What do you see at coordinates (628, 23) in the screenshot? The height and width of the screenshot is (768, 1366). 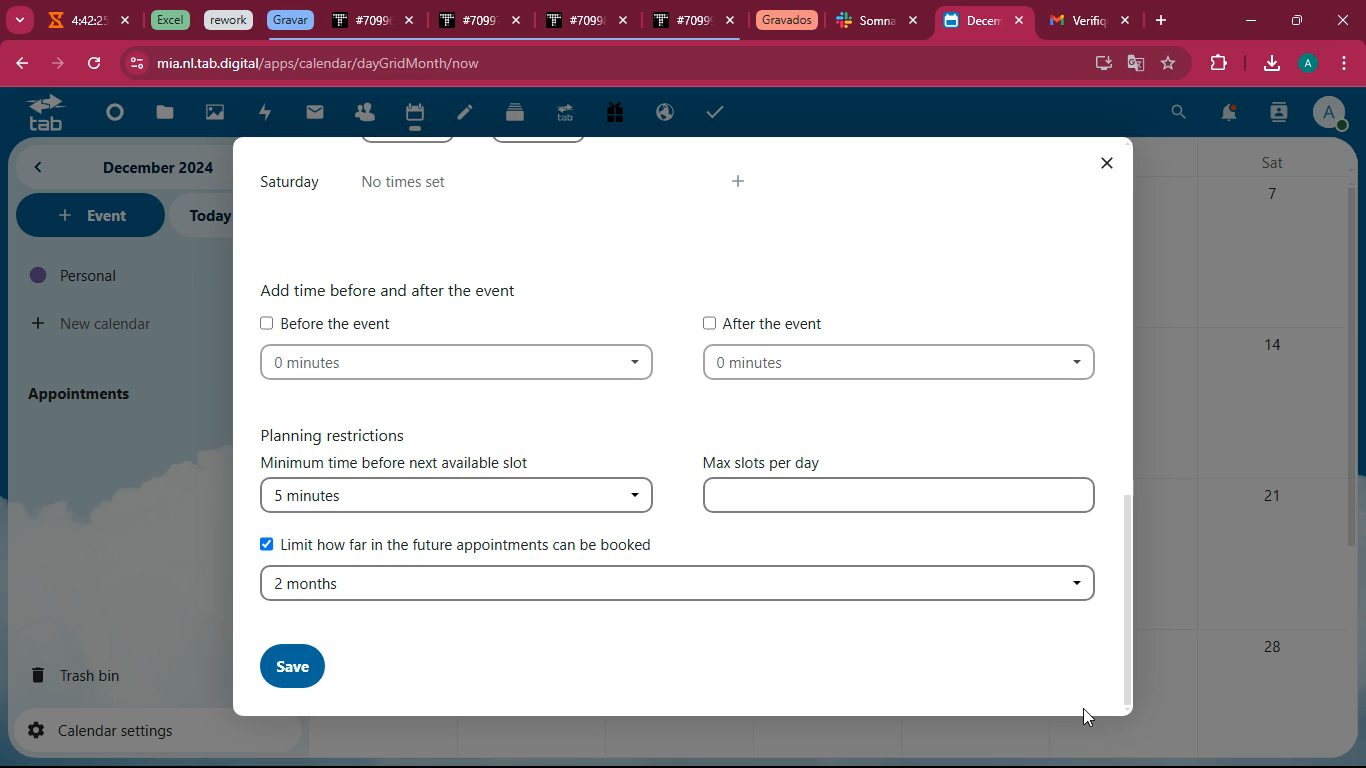 I see `close` at bounding box center [628, 23].